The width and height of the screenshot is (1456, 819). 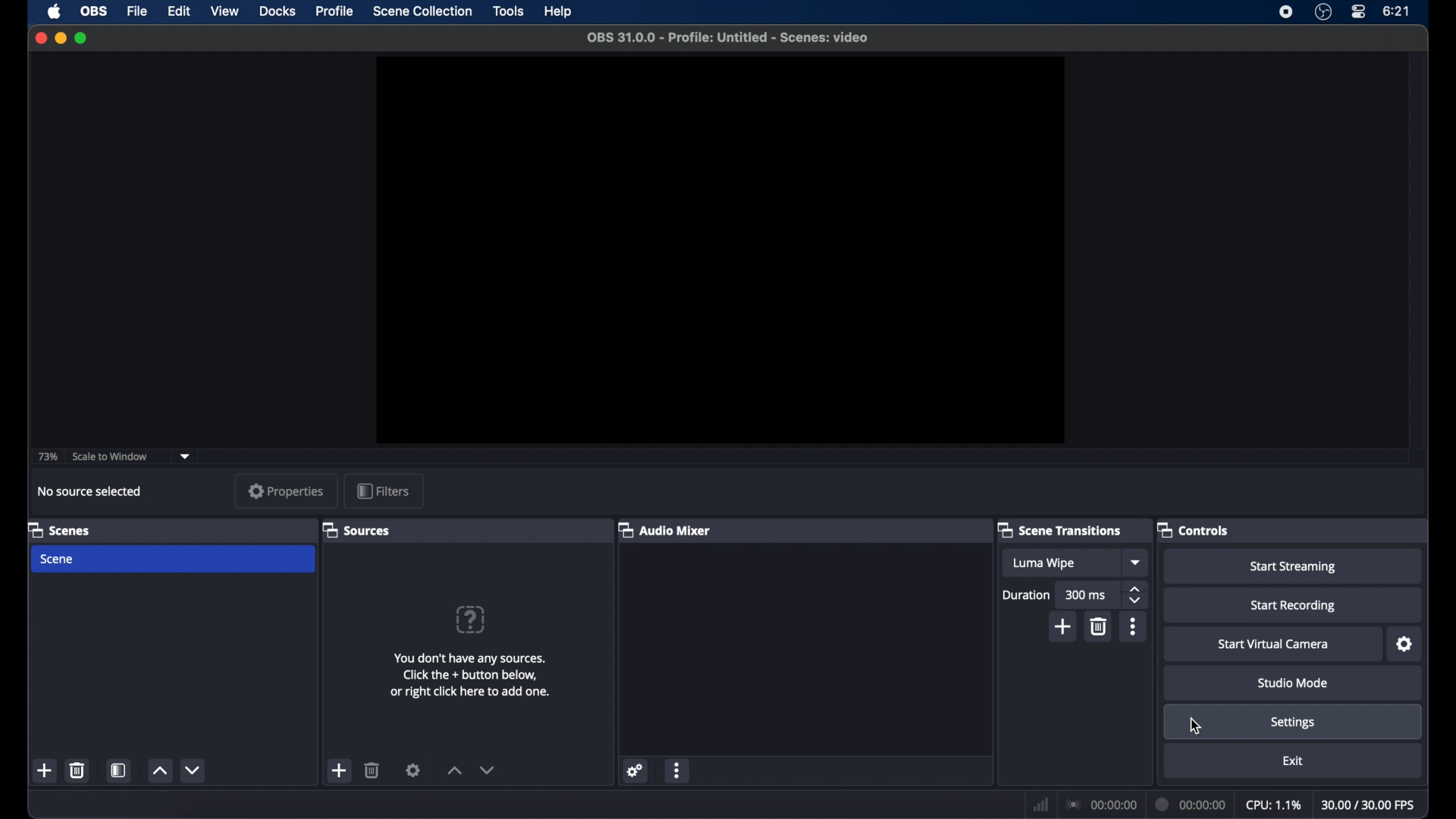 I want to click on cpu, so click(x=1275, y=805).